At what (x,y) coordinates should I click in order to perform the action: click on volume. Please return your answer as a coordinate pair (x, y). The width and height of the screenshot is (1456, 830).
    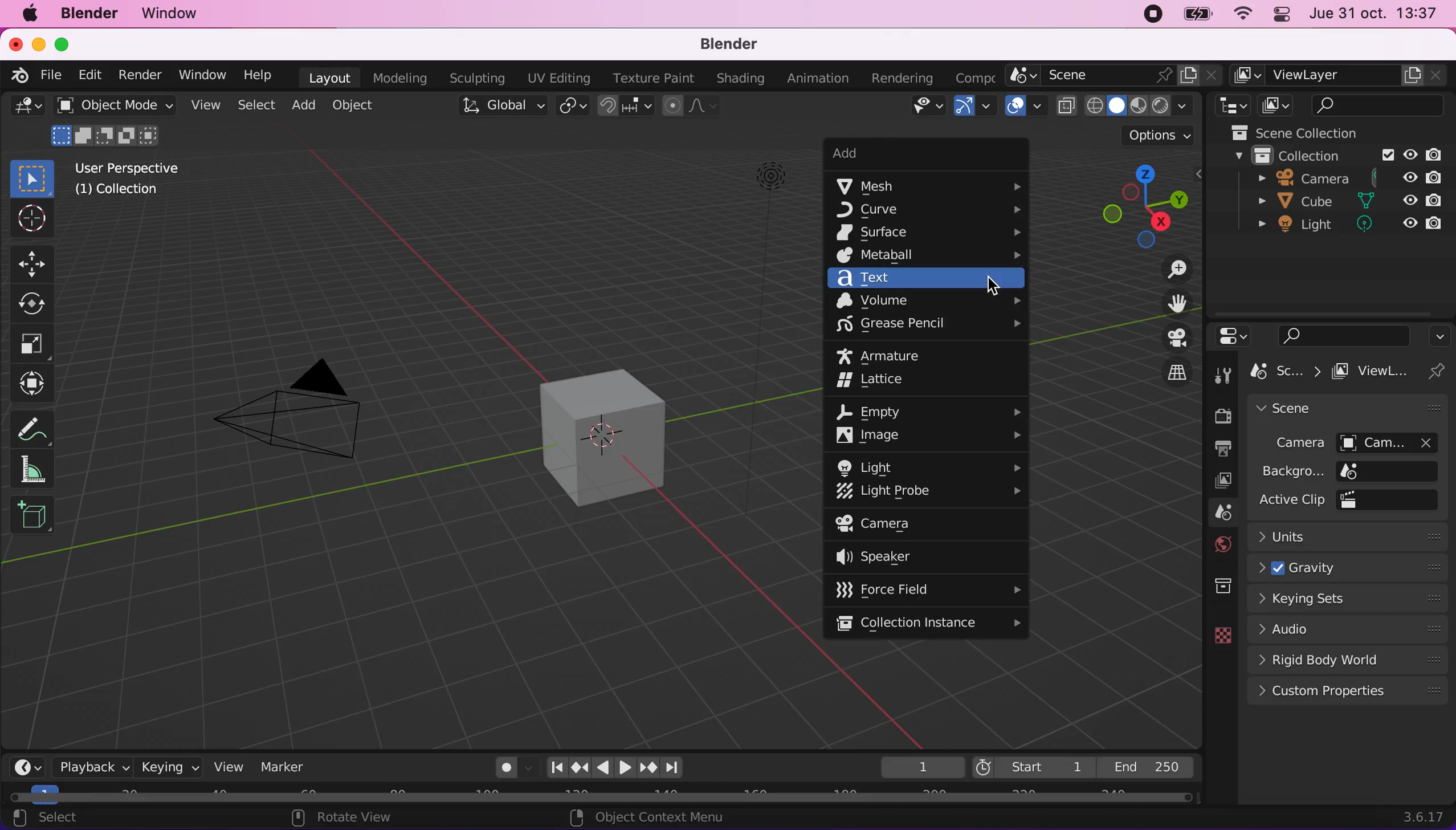
    Looking at the image, I should click on (928, 301).